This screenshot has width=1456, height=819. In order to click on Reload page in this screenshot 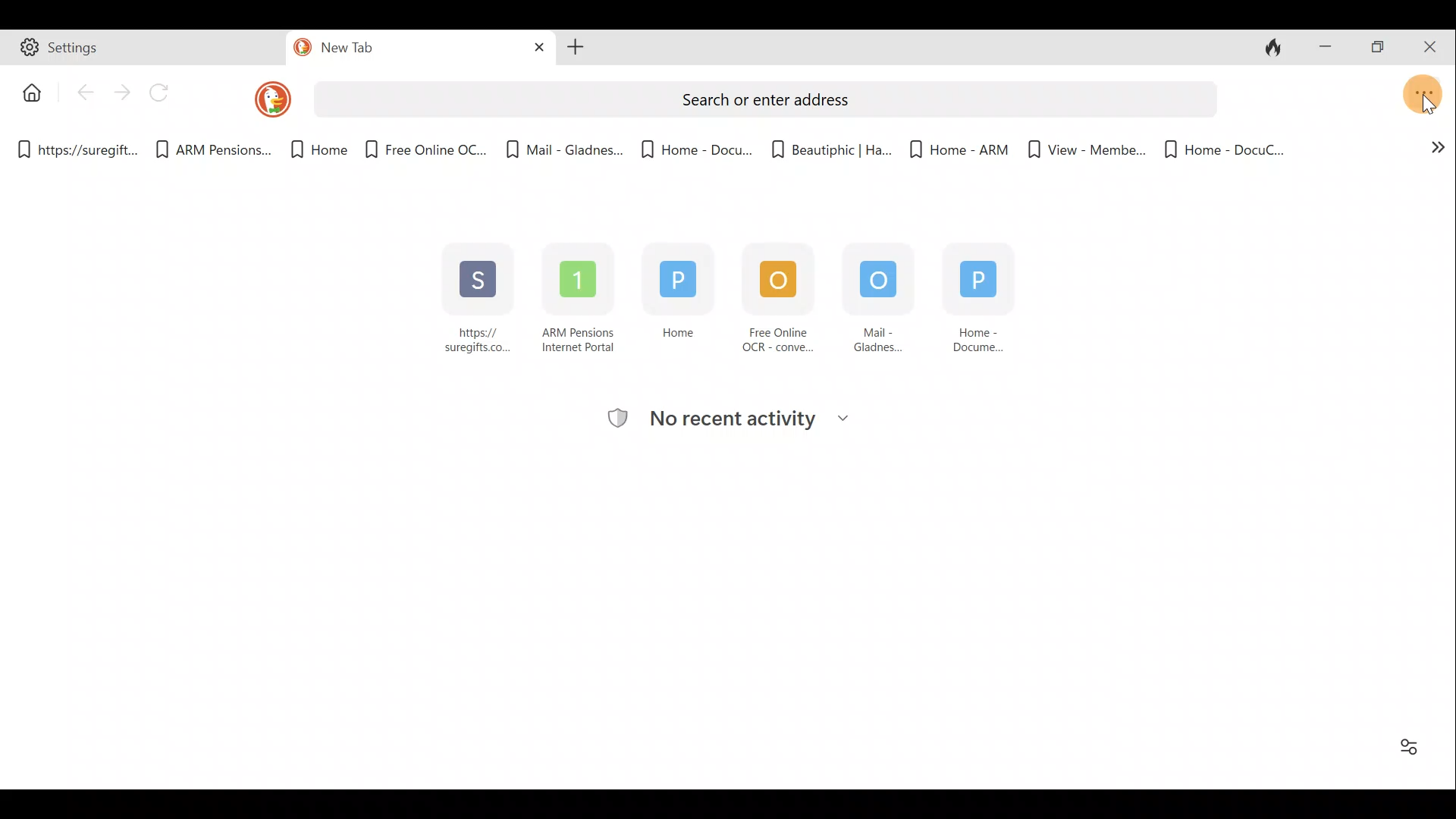, I will do `click(162, 96)`.